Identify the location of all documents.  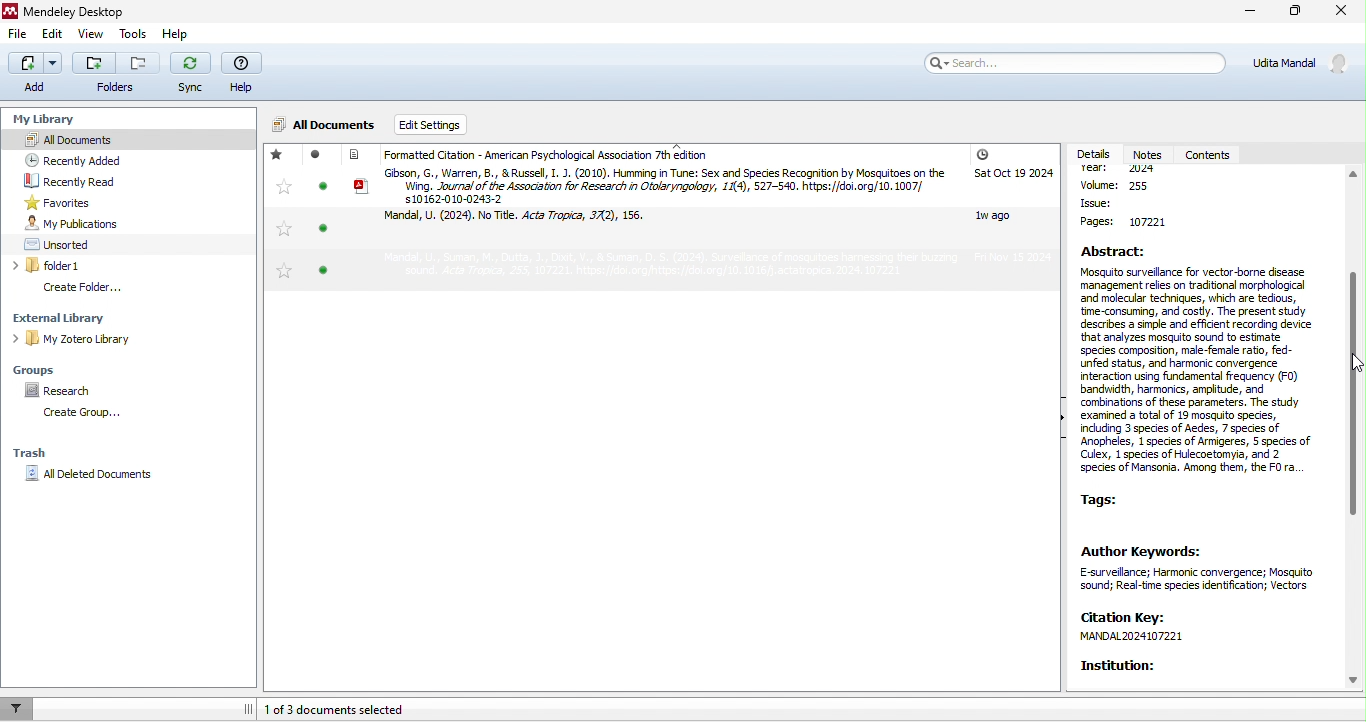
(82, 138).